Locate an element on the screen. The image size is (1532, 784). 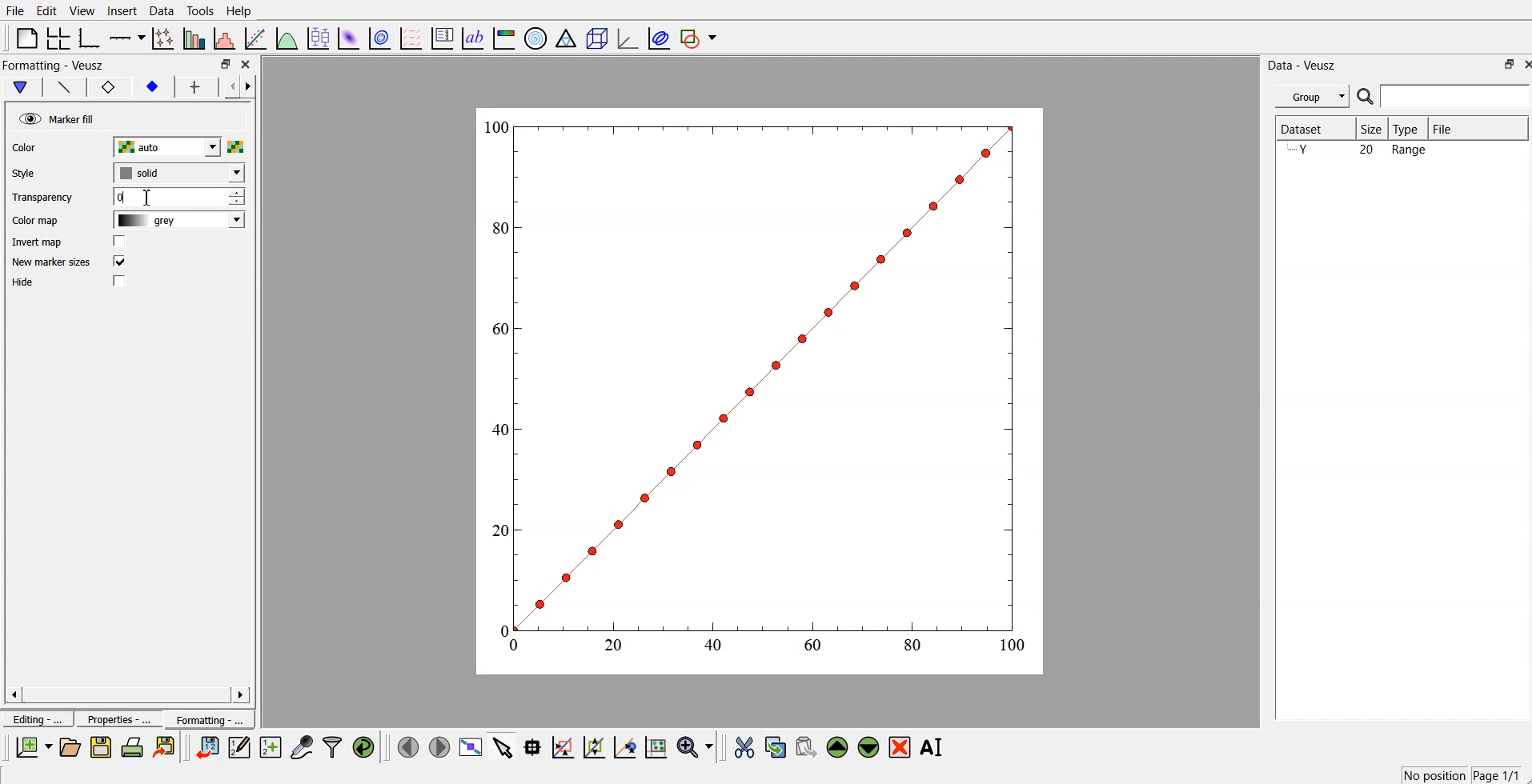
Move to next page is located at coordinates (439, 746).